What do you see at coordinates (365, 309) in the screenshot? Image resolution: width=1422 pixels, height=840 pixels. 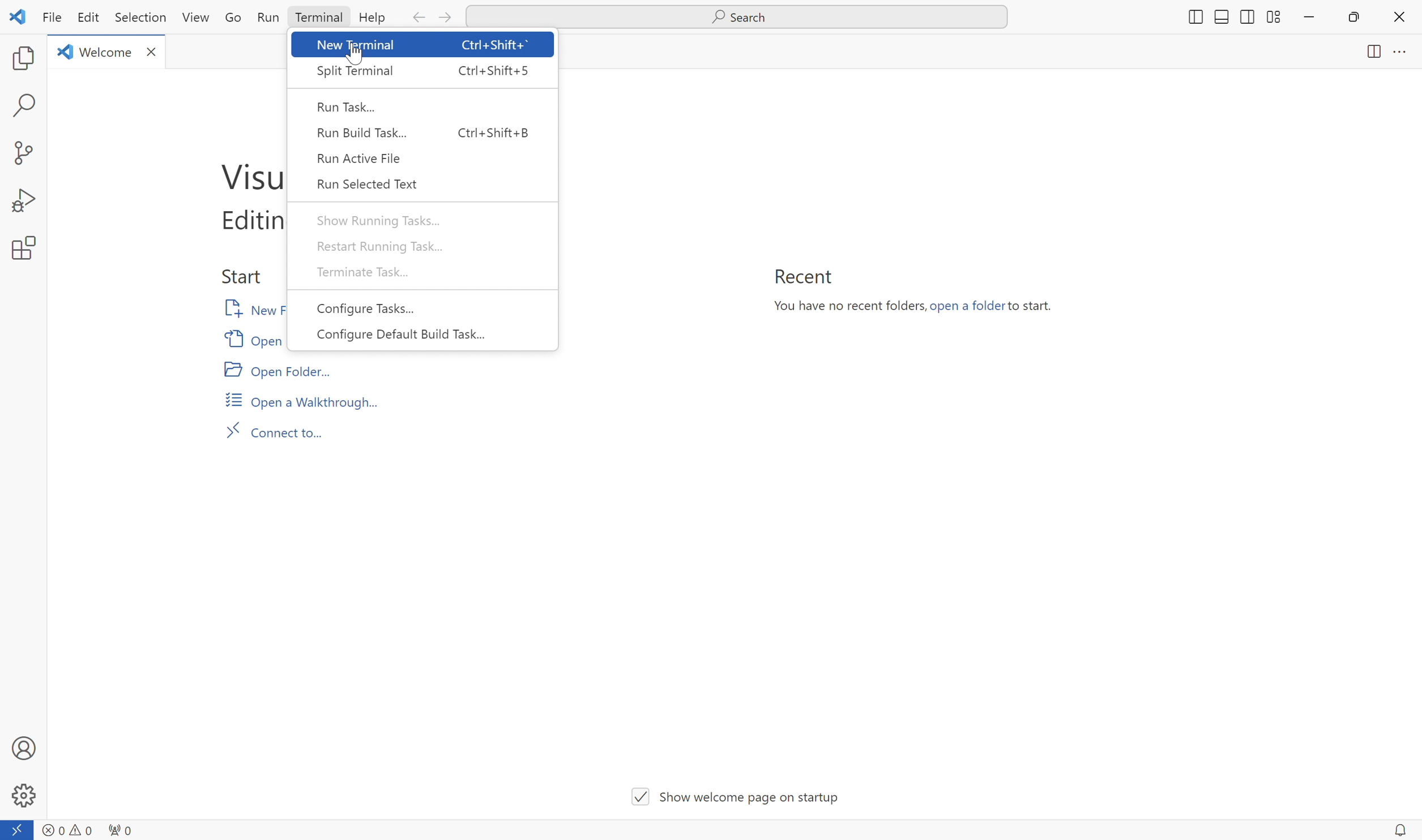 I see `Configure Tasks...` at bounding box center [365, 309].